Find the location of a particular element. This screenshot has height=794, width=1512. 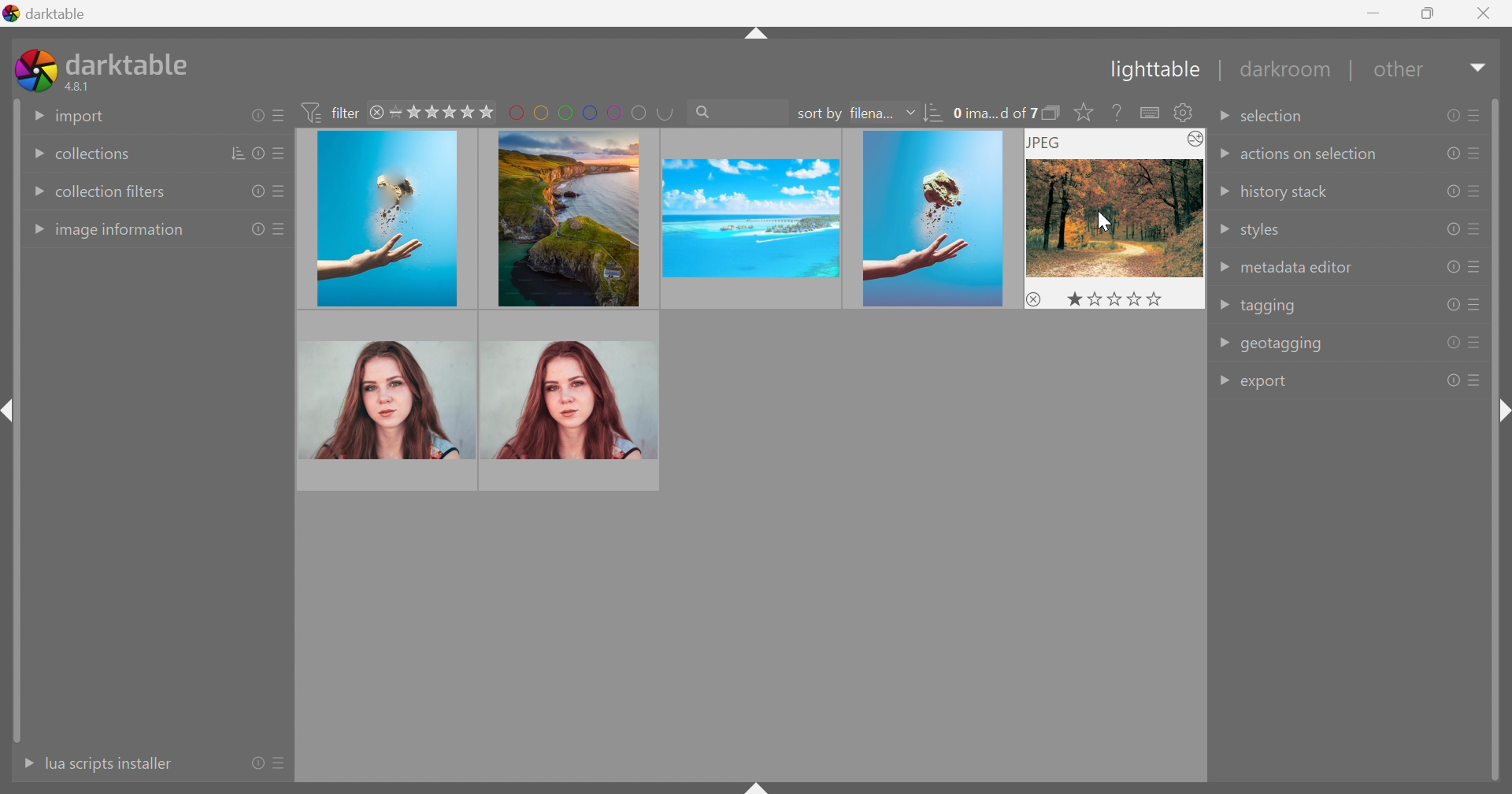

reset is located at coordinates (254, 192).